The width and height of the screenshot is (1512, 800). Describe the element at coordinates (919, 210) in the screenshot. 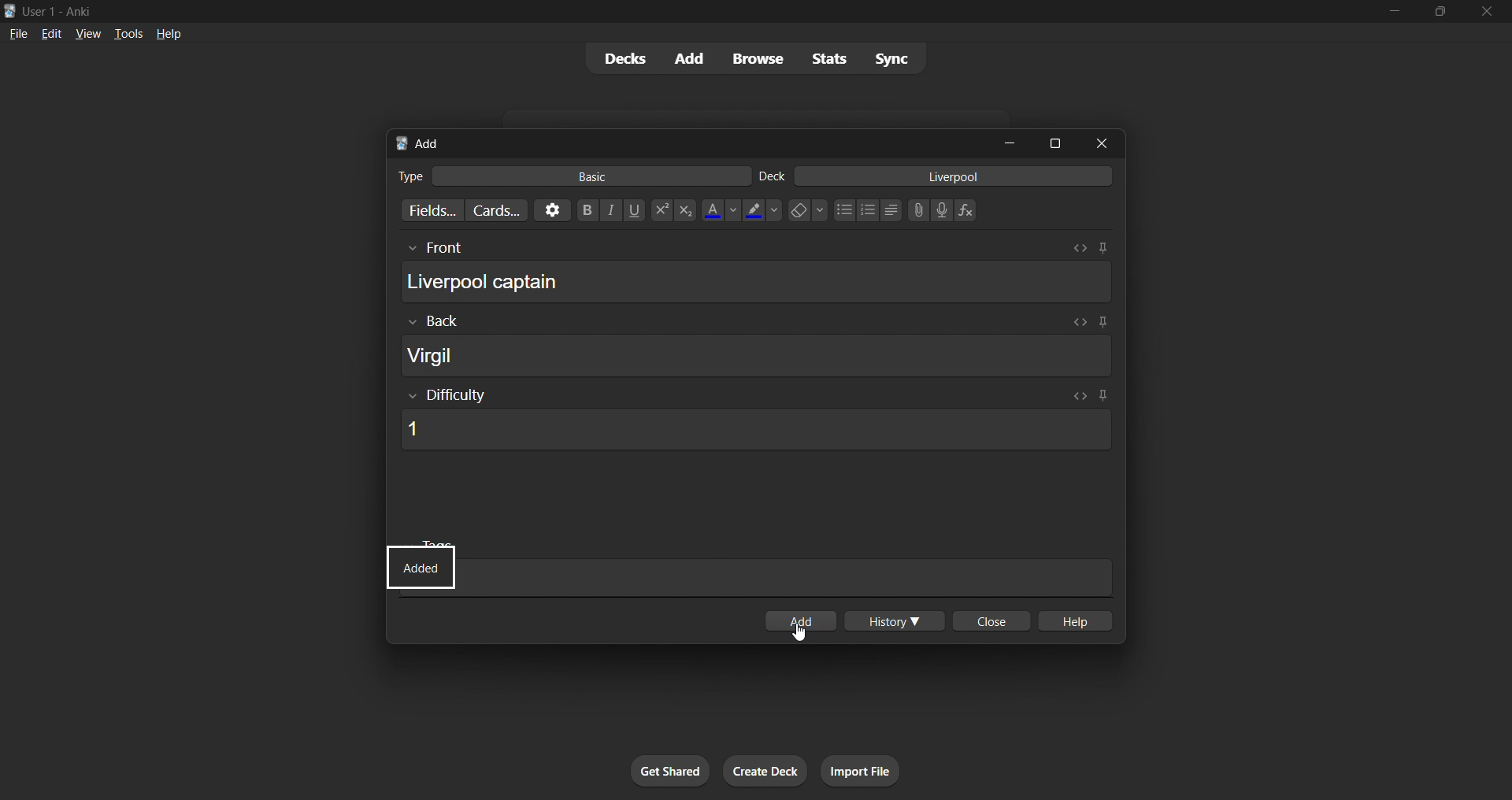

I see `Upload file` at that location.